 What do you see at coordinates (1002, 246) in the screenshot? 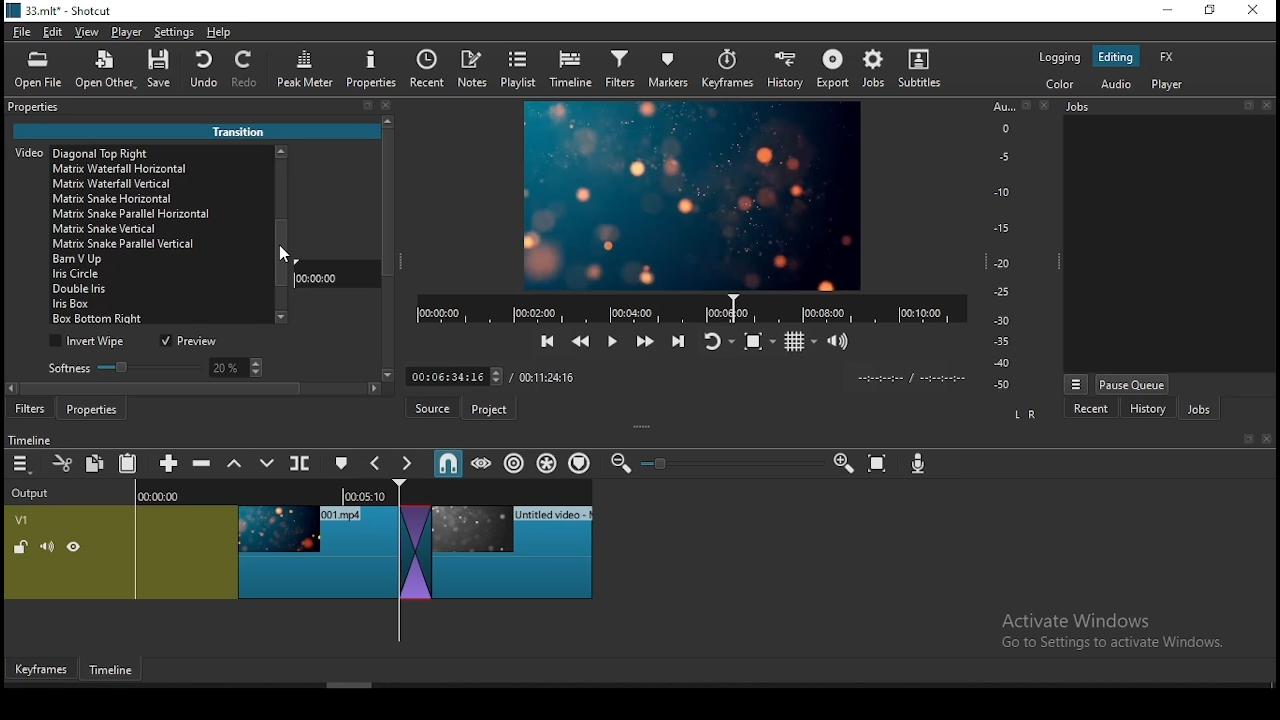
I see `audio bar` at bounding box center [1002, 246].